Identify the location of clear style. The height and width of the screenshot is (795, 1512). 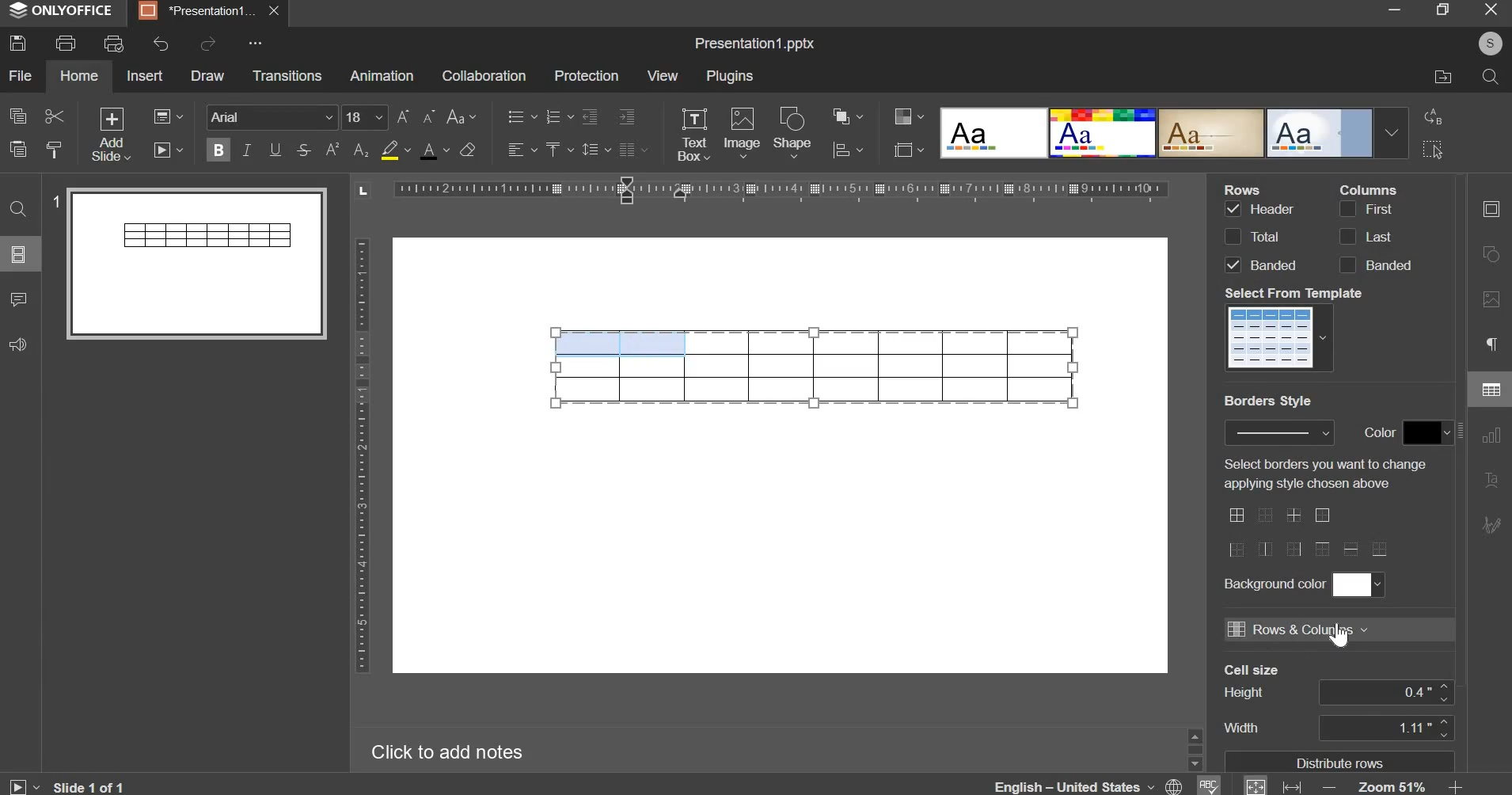
(467, 149).